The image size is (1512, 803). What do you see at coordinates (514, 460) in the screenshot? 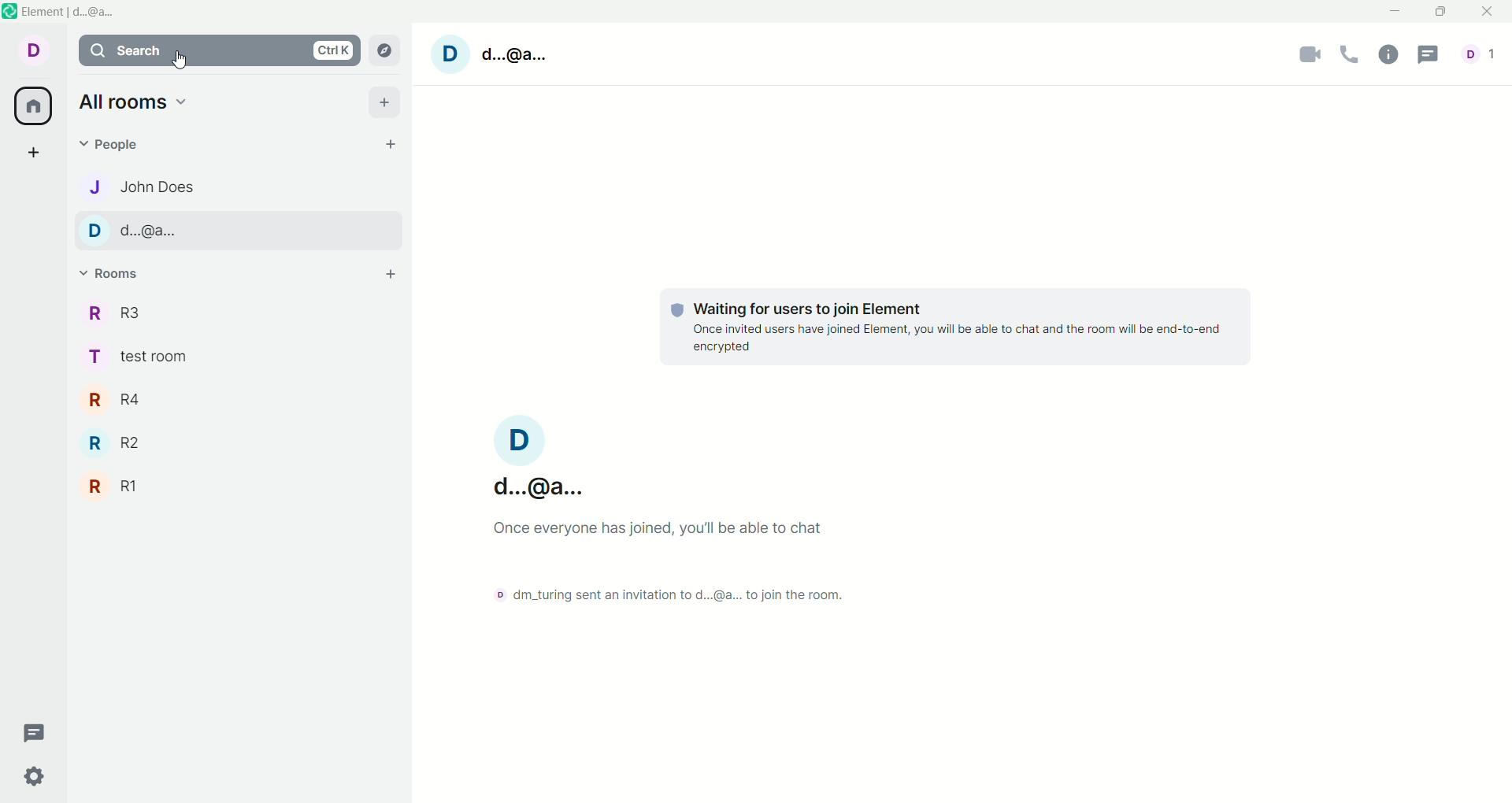
I see `Current account` at bounding box center [514, 460].